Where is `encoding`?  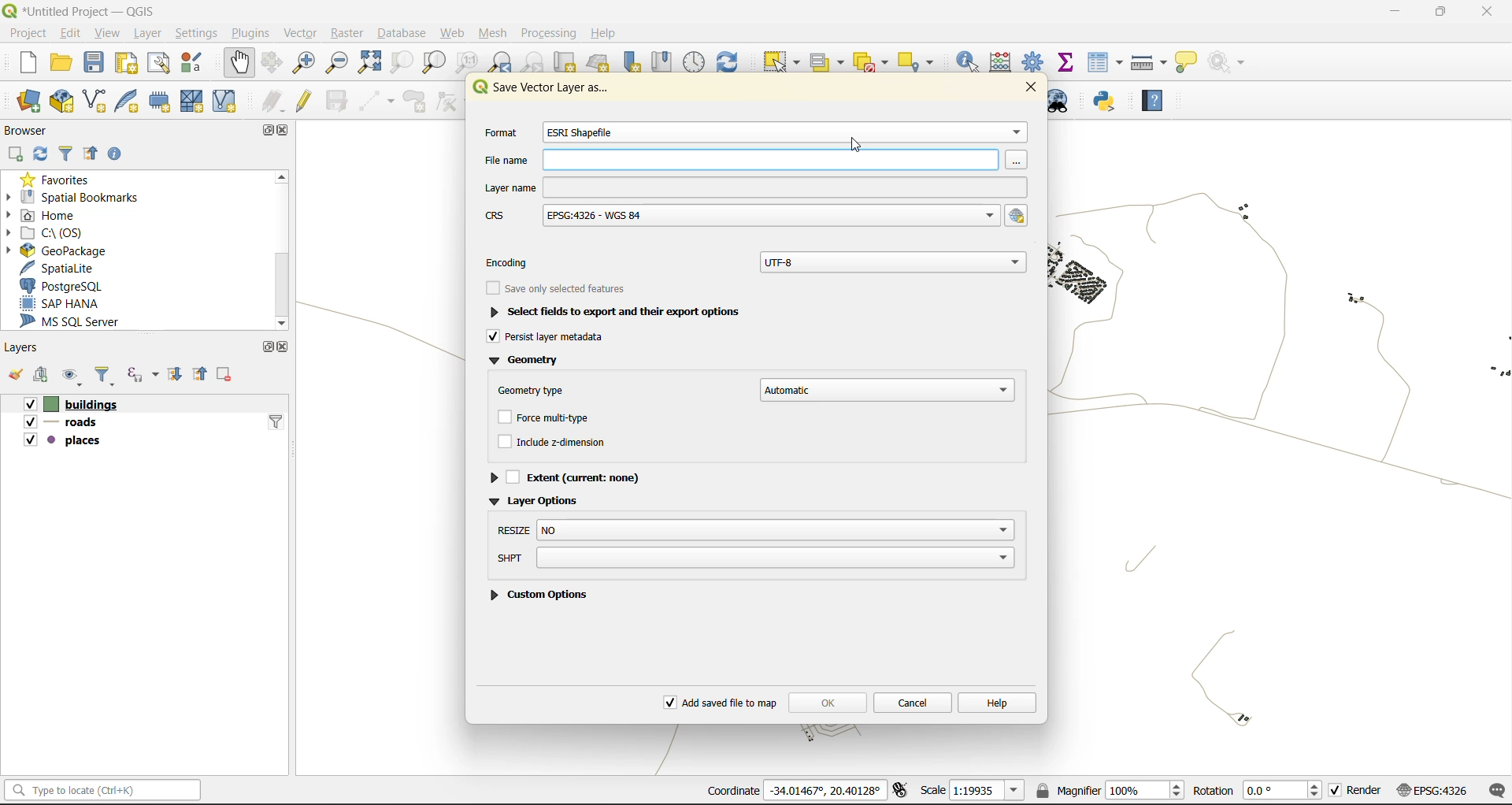
encoding is located at coordinates (760, 261).